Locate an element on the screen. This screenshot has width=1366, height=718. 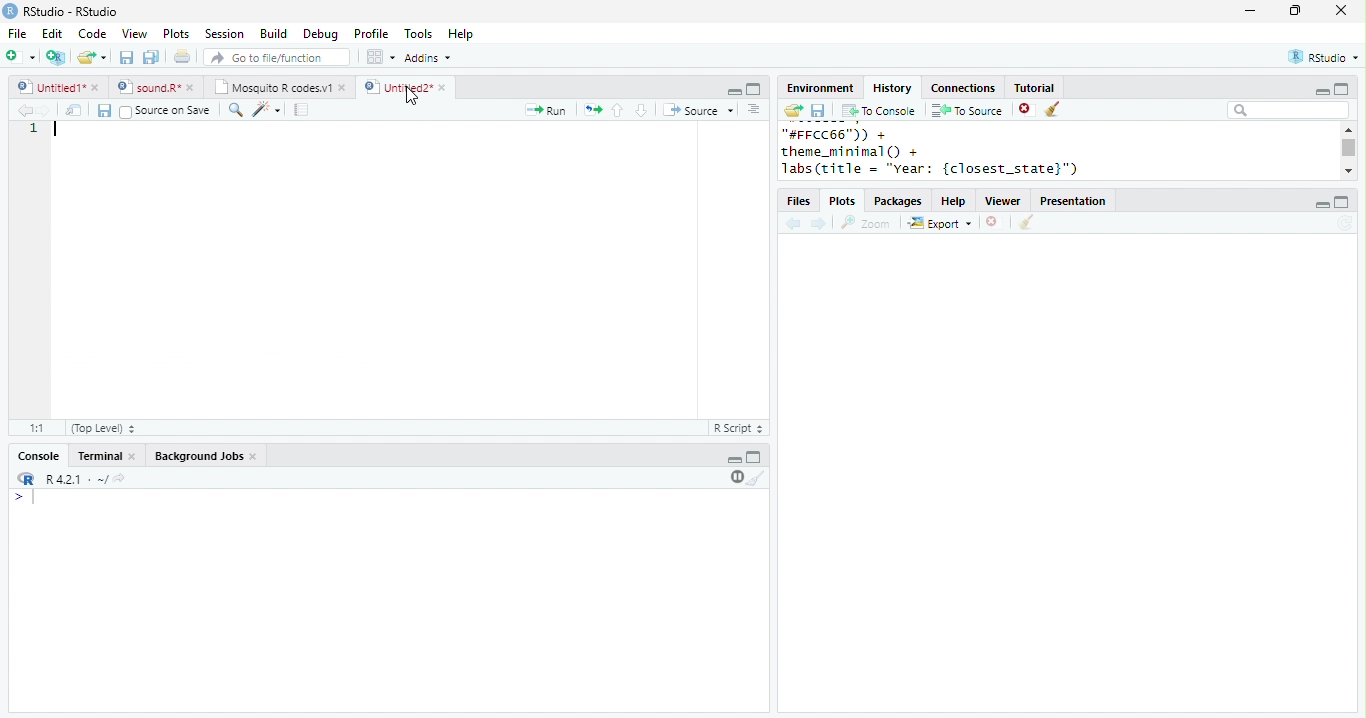
Plots is located at coordinates (177, 33).